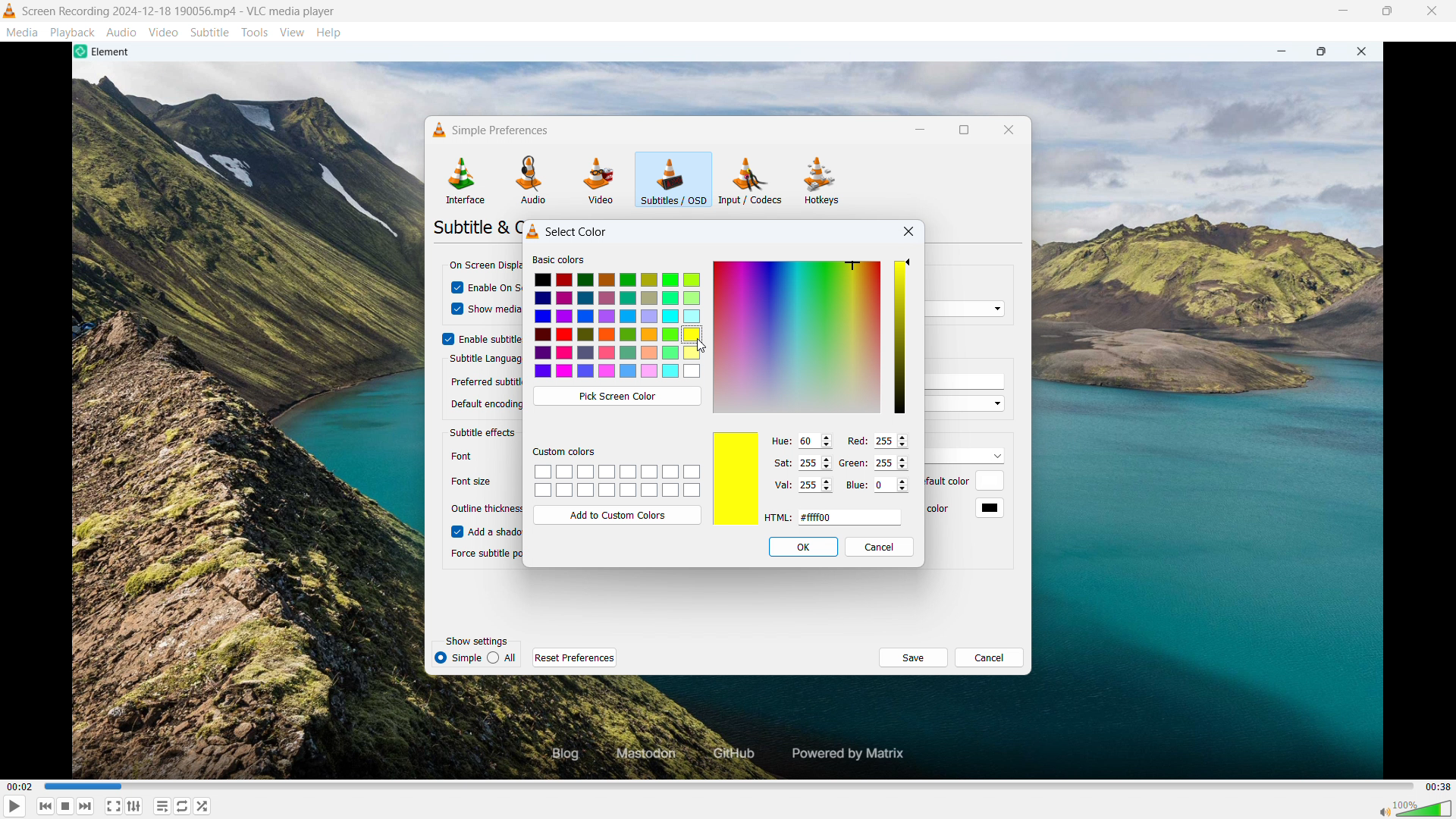 The height and width of the screenshot is (819, 1456). What do you see at coordinates (481, 554) in the screenshot?
I see `| Force subtitle position` at bounding box center [481, 554].